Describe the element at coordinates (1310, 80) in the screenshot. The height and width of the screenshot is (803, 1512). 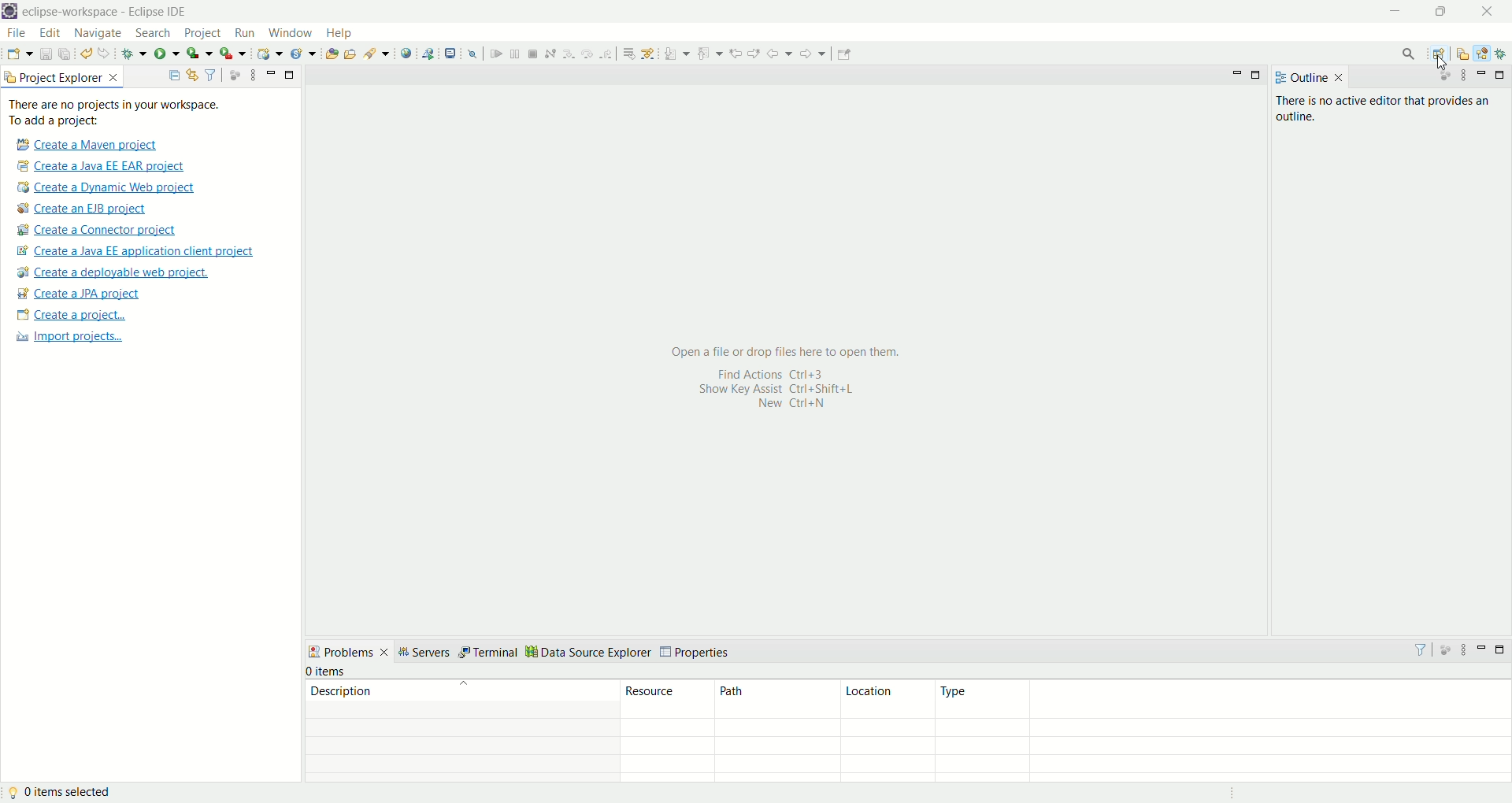
I see `outline` at that location.